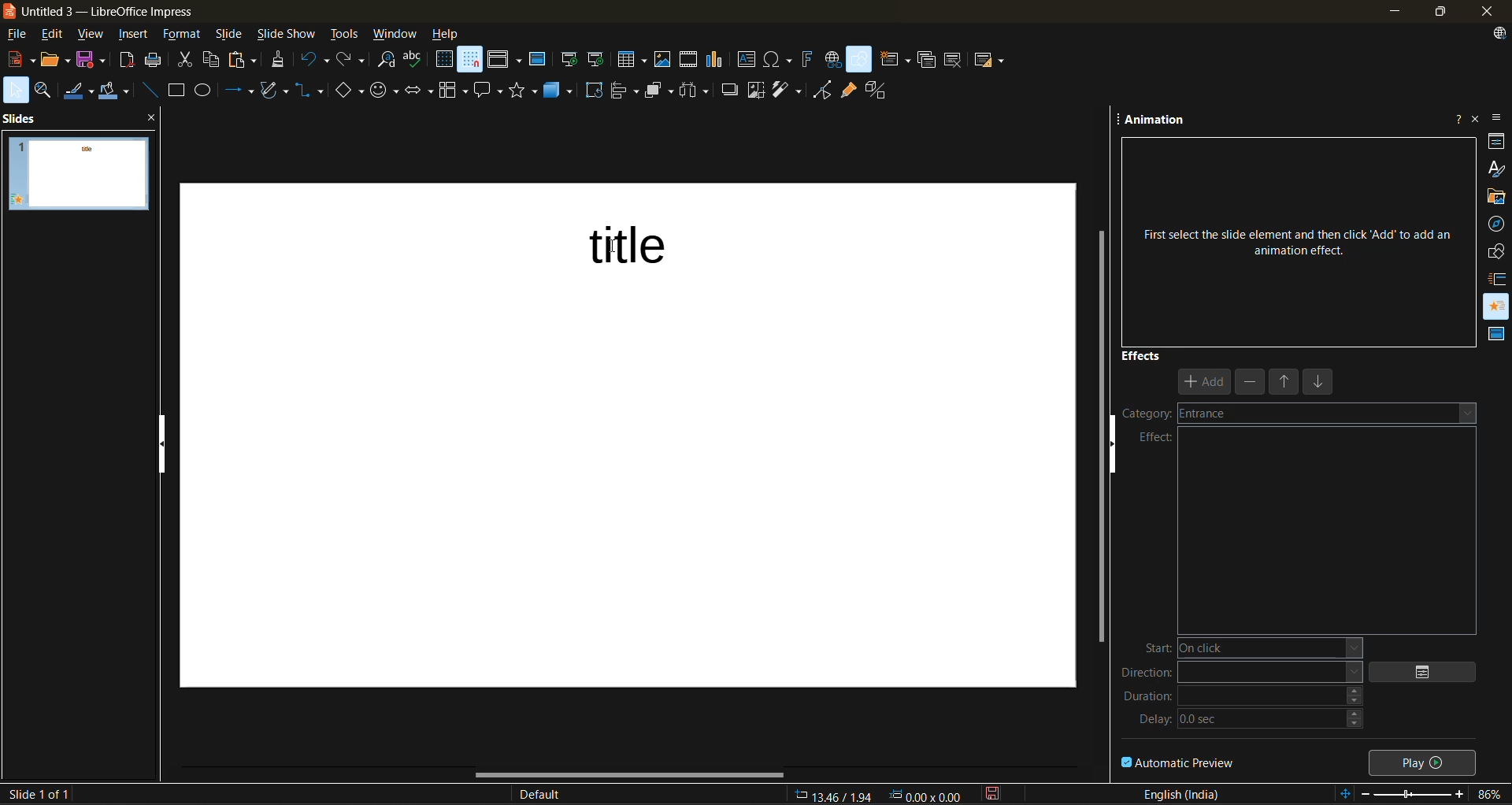 This screenshot has height=805, width=1512. What do you see at coordinates (757, 91) in the screenshot?
I see `crop image` at bounding box center [757, 91].